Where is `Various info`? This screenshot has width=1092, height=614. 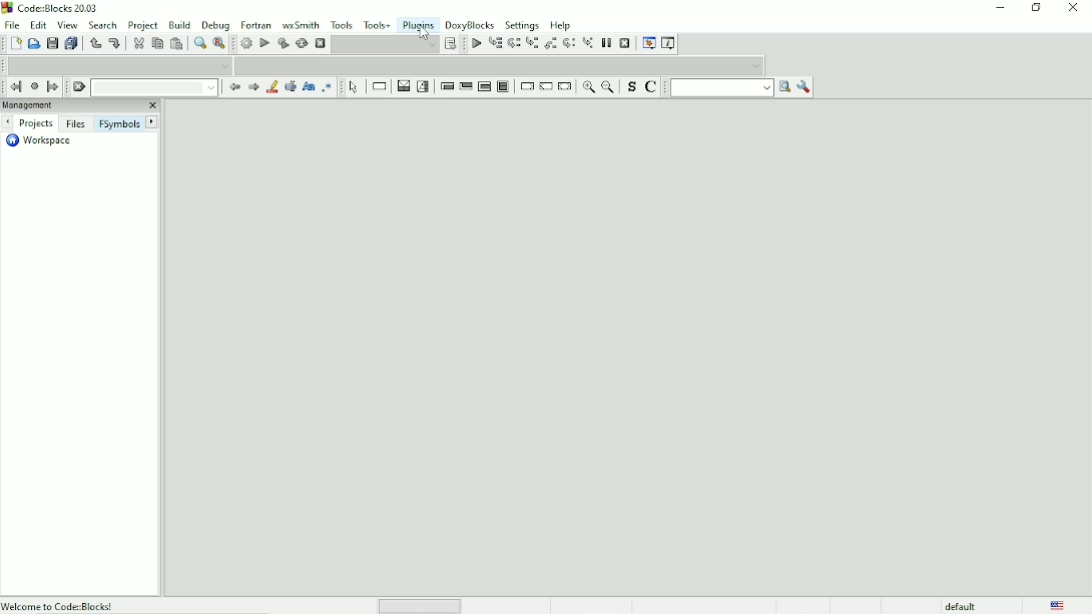 Various info is located at coordinates (669, 43).